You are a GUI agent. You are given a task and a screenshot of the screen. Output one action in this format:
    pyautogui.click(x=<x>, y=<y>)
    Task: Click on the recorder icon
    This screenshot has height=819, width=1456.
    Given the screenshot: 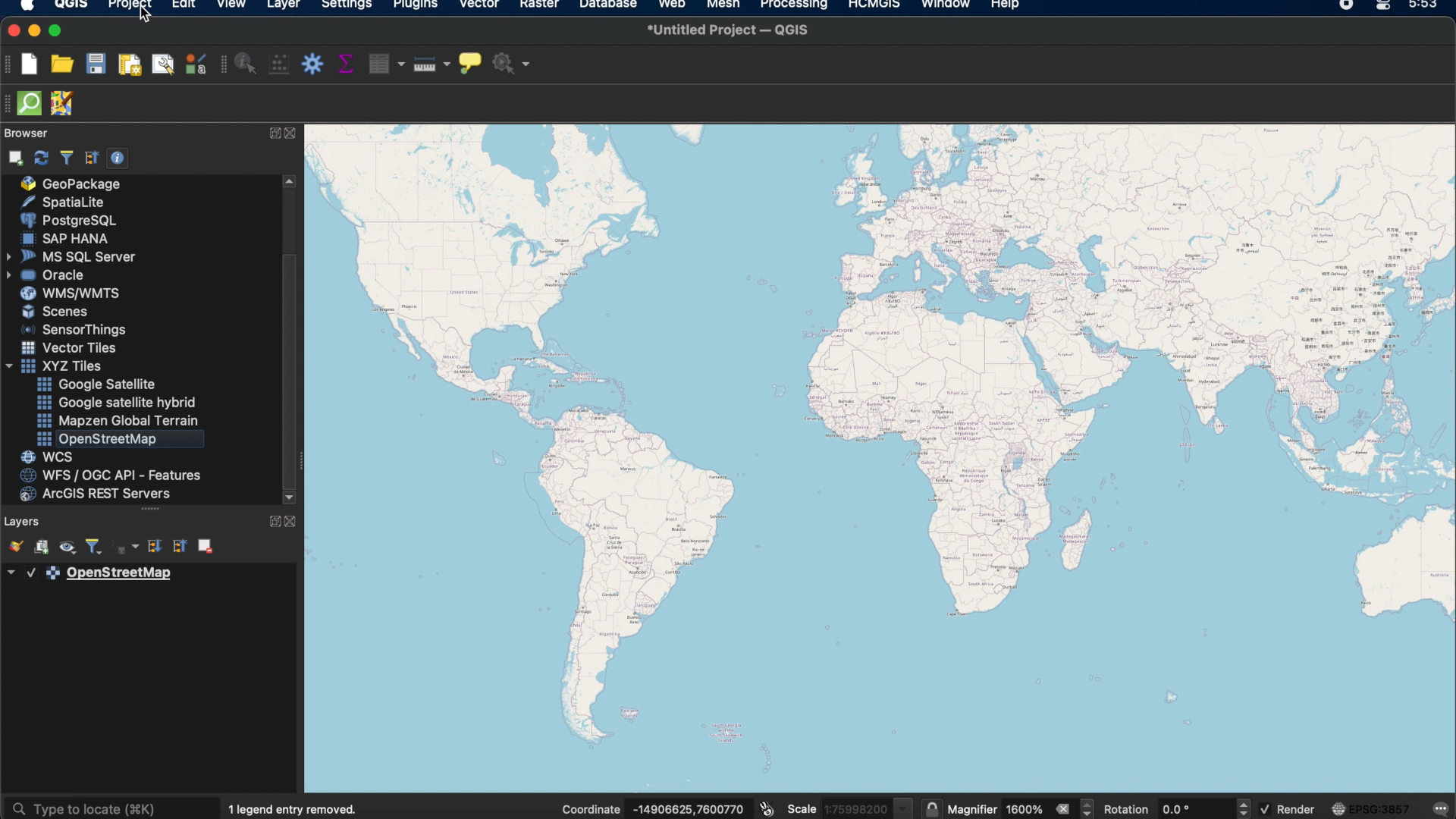 What is the action you would take?
    pyautogui.click(x=1341, y=7)
    